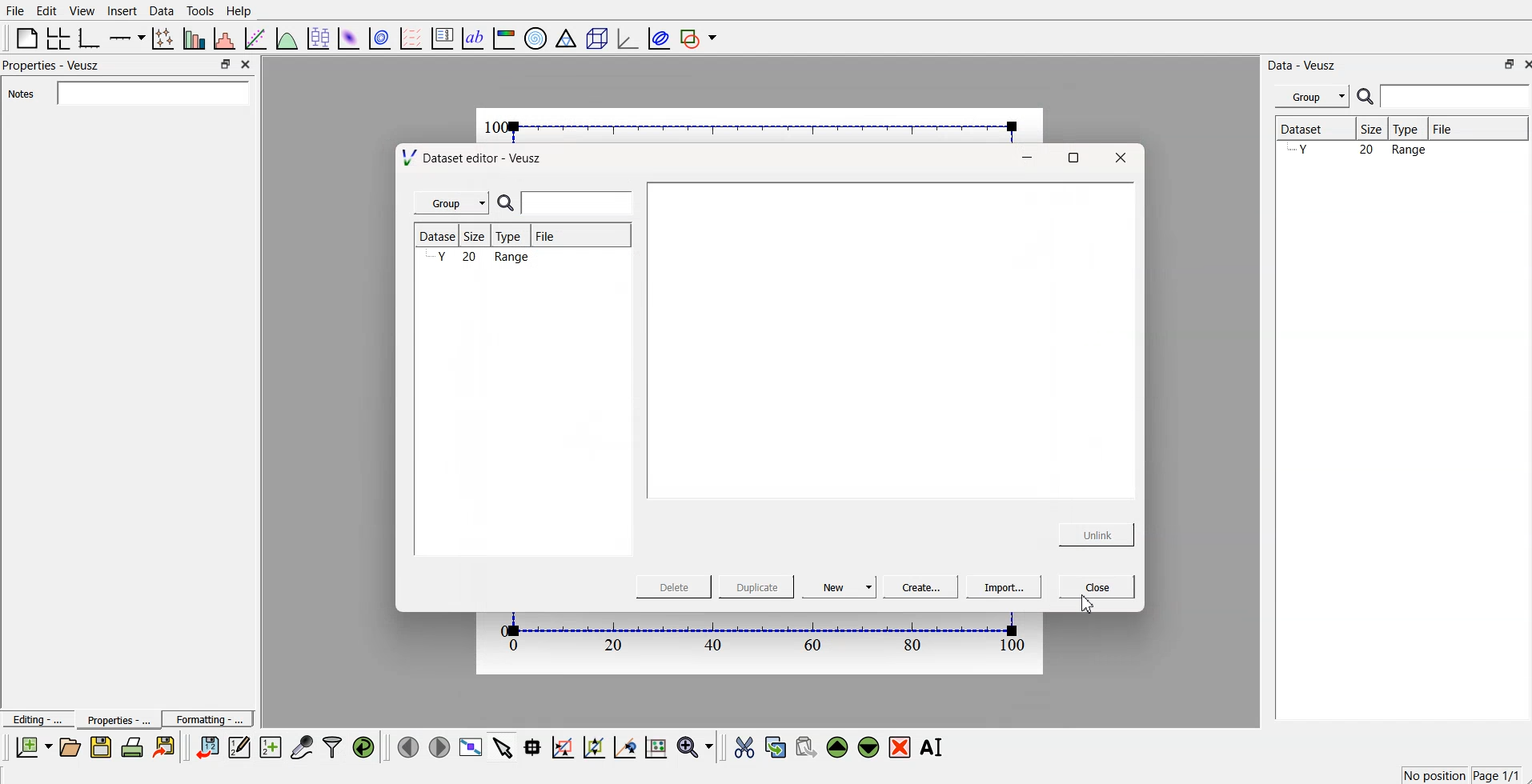 The height and width of the screenshot is (784, 1532). What do you see at coordinates (1097, 534) in the screenshot?
I see `Unlink` at bounding box center [1097, 534].